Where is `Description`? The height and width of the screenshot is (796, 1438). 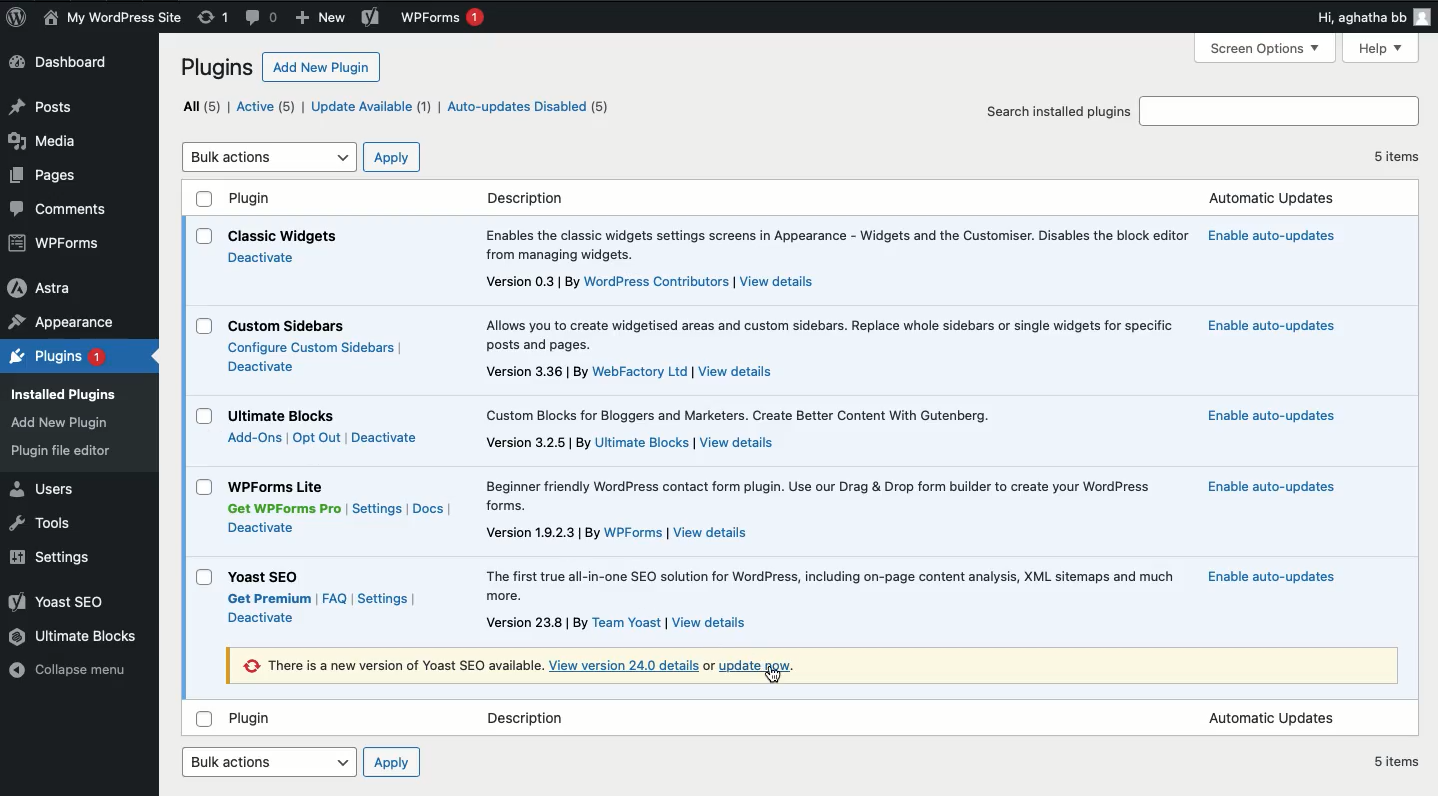
Description is located at coordinates (739, 416).